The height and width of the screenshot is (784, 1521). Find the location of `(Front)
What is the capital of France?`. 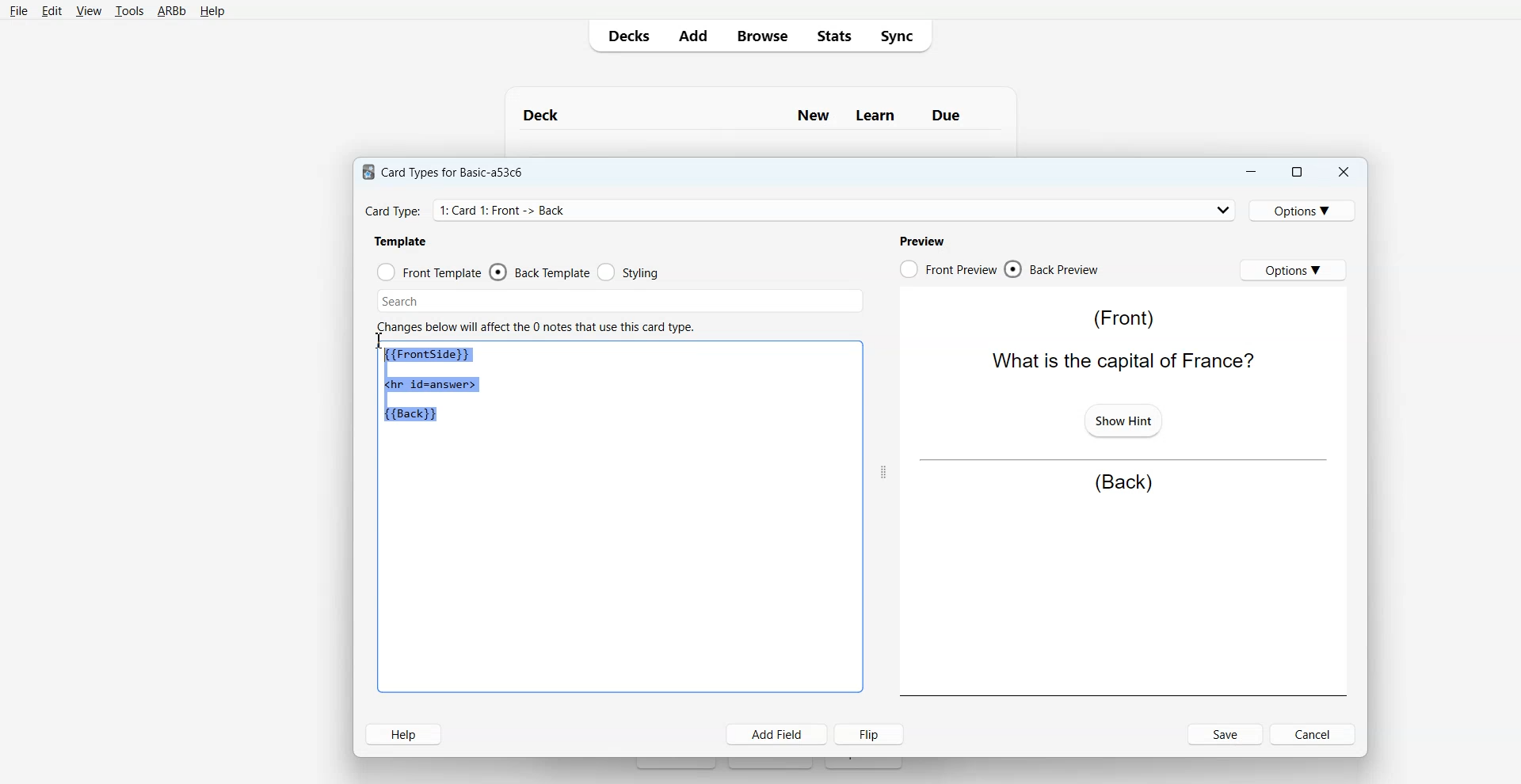

(Front)
What is the capital of France? is located at coordinates (1119, 340).